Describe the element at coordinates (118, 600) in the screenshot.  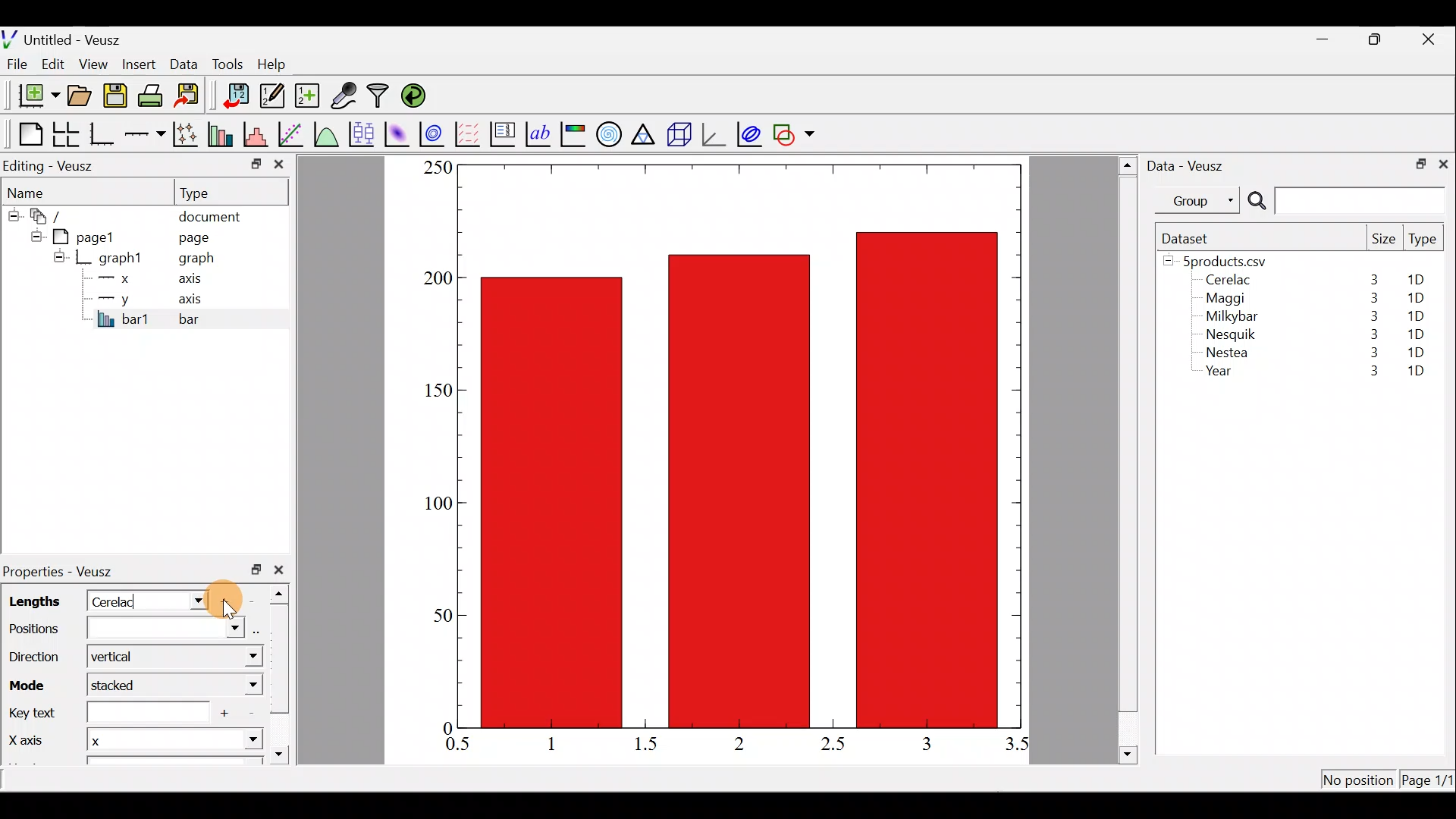
I see `Cerelac` at that location.